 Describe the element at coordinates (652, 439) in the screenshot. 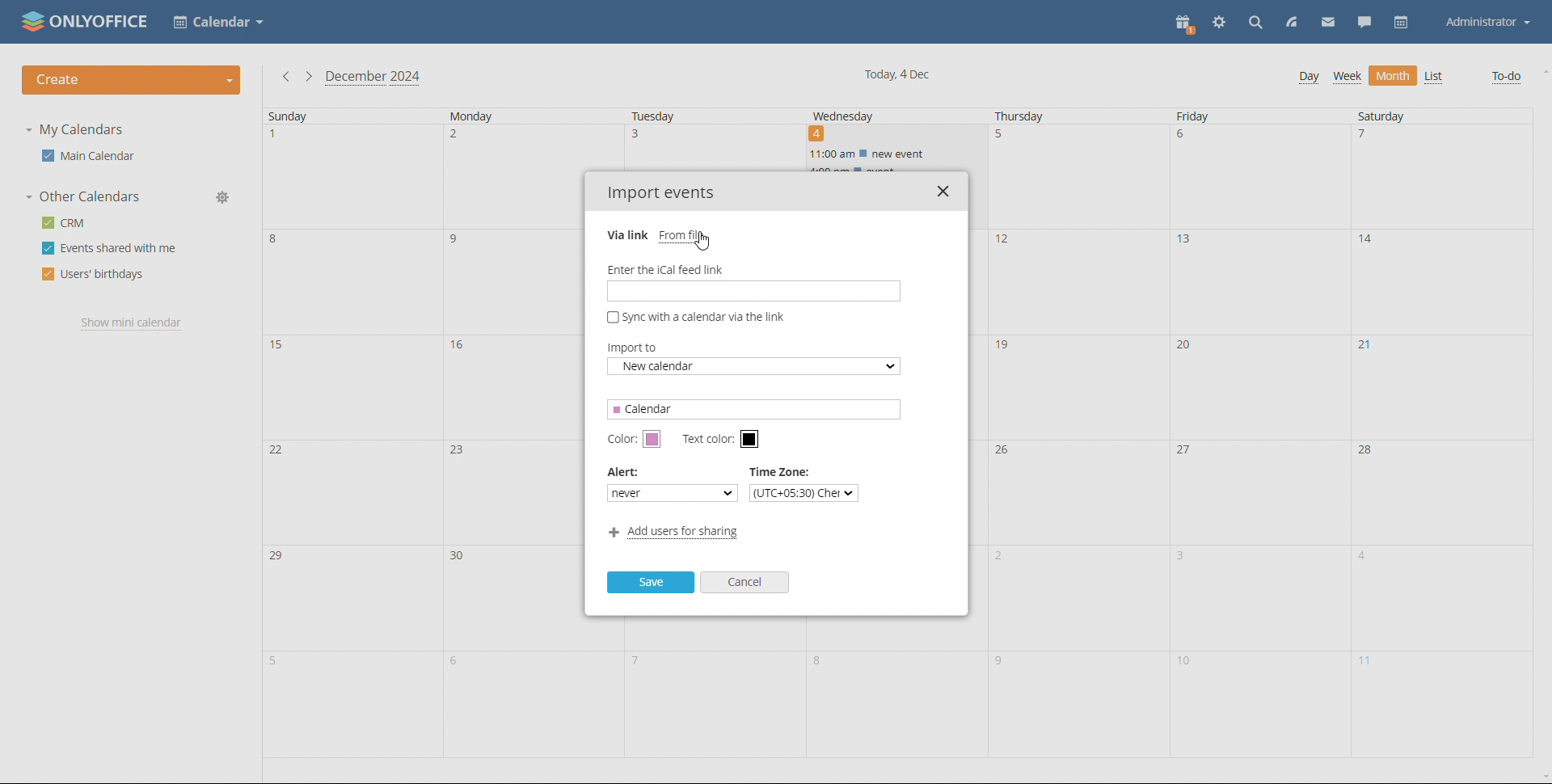

I see `set calendar color` at that location.